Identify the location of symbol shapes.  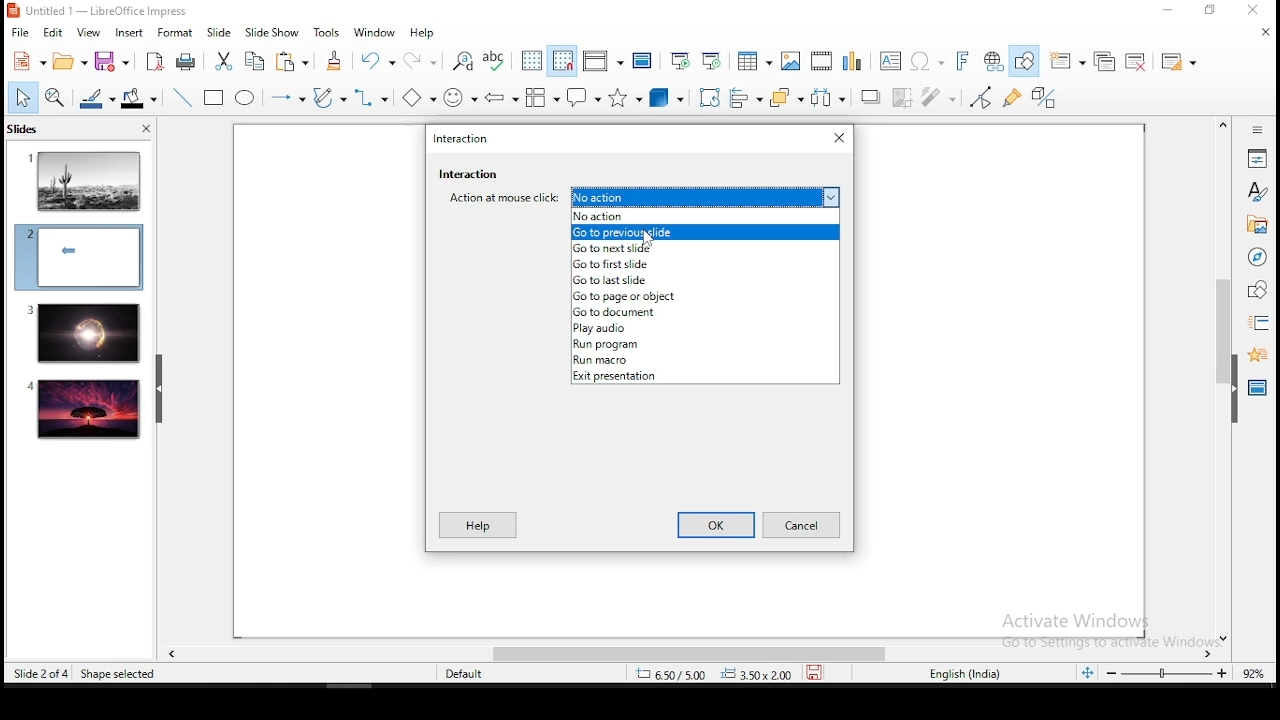
(460, 98).